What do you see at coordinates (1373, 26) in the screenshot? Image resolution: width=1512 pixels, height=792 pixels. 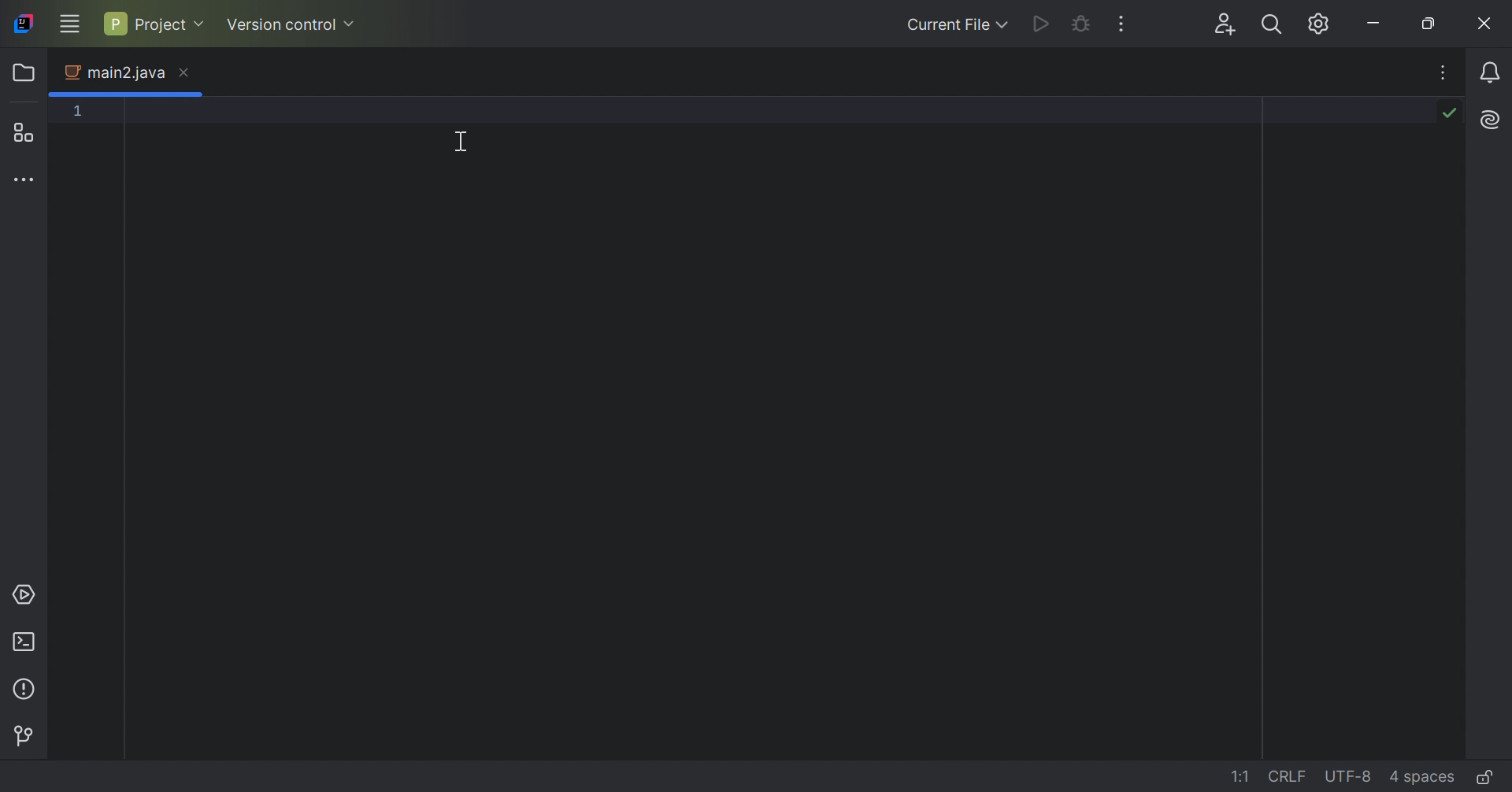 I see `Minimize` at bounding box center [1373, 26].